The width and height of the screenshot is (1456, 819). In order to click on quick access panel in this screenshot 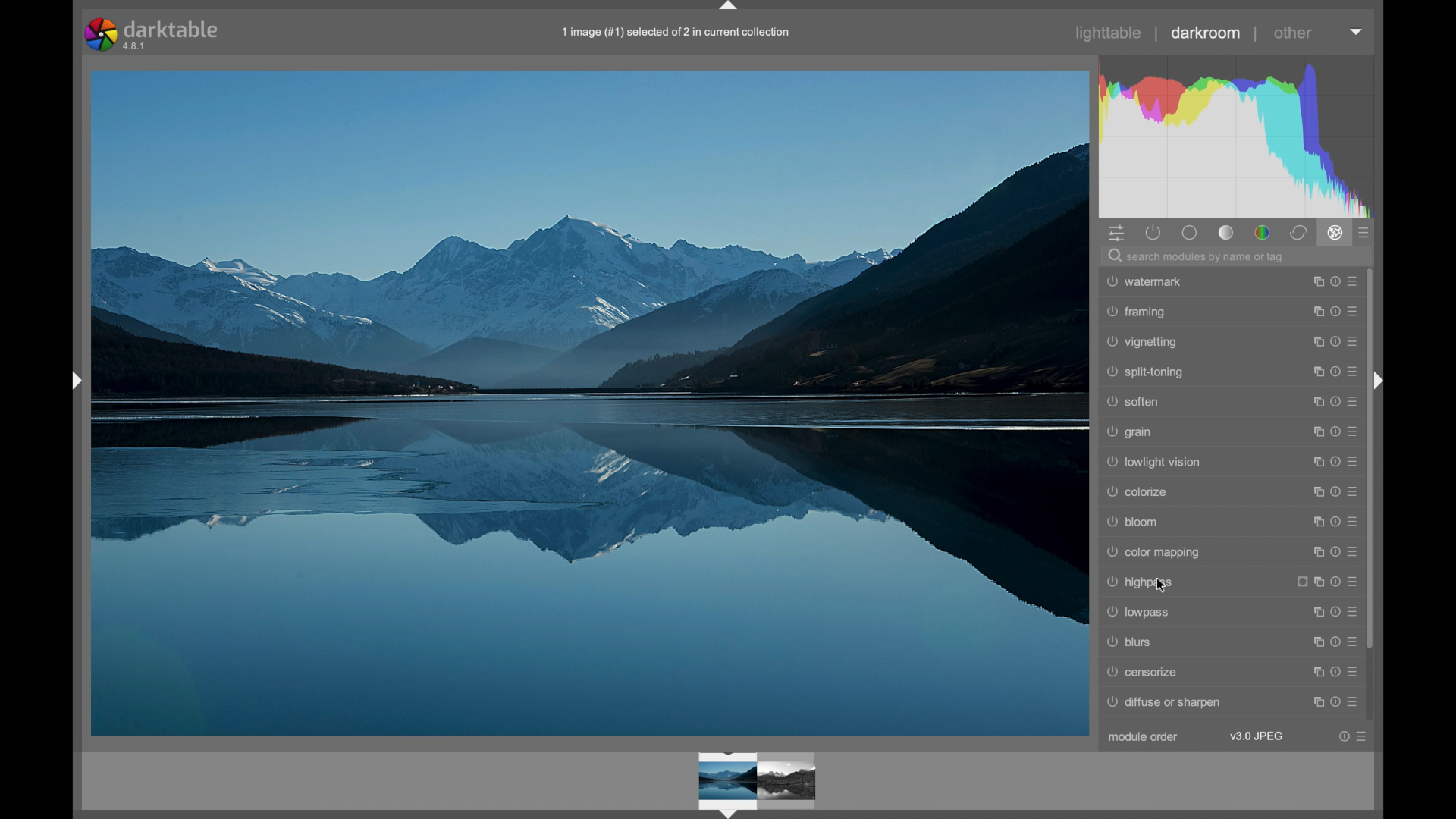, I will do `click(1119, 234)`.